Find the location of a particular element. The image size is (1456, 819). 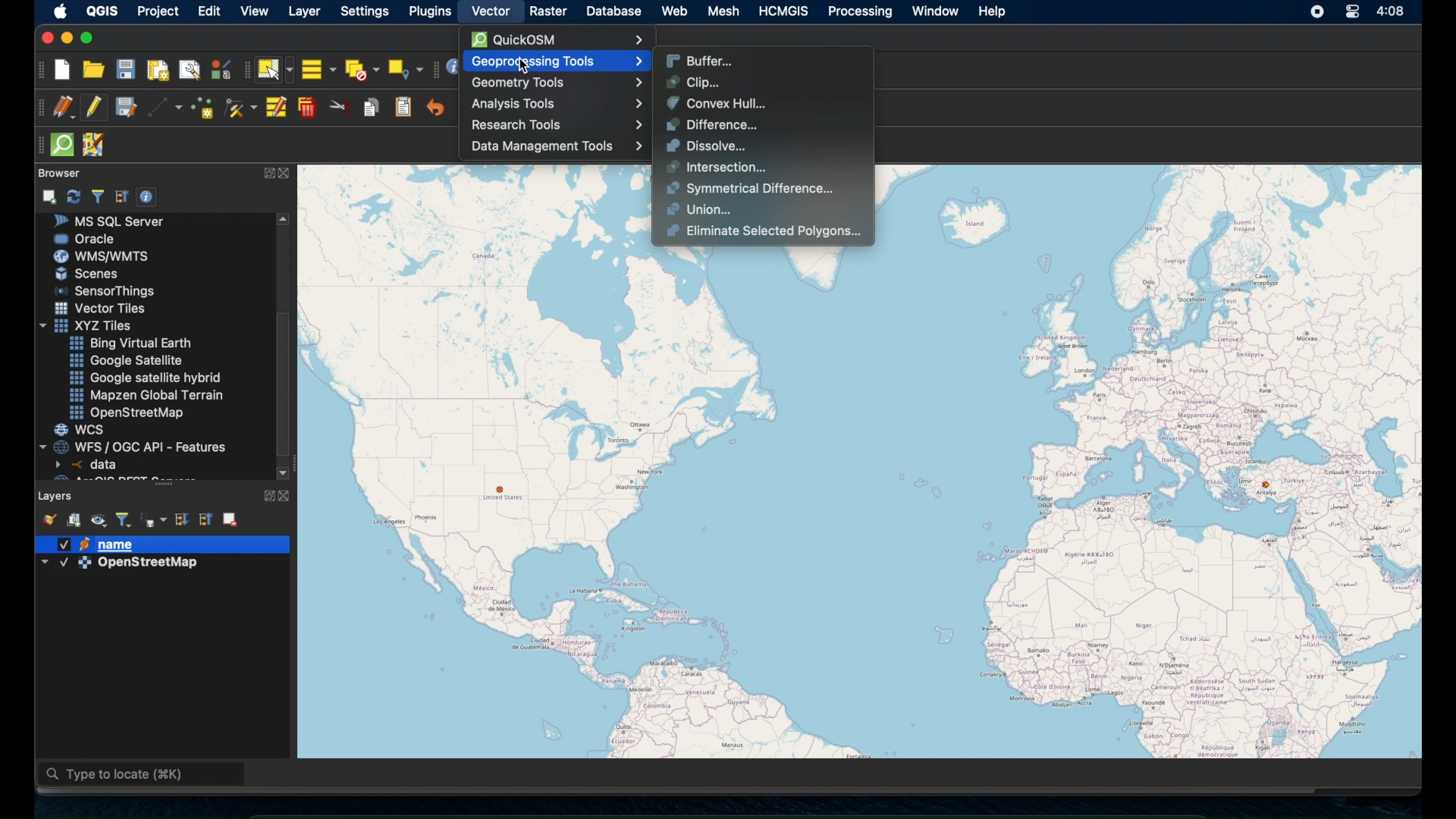

browser is located at coordinates (57, 171).